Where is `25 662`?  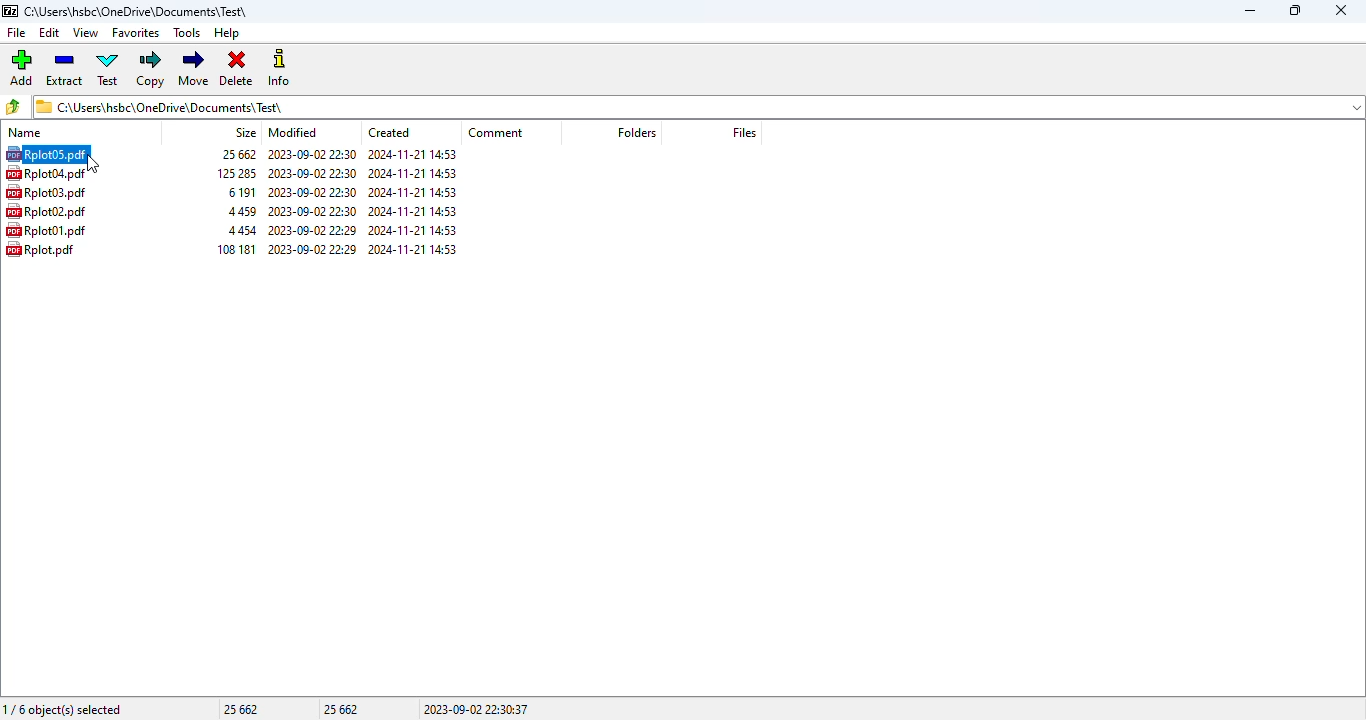 25 662 is located at coordinates (240, 710).